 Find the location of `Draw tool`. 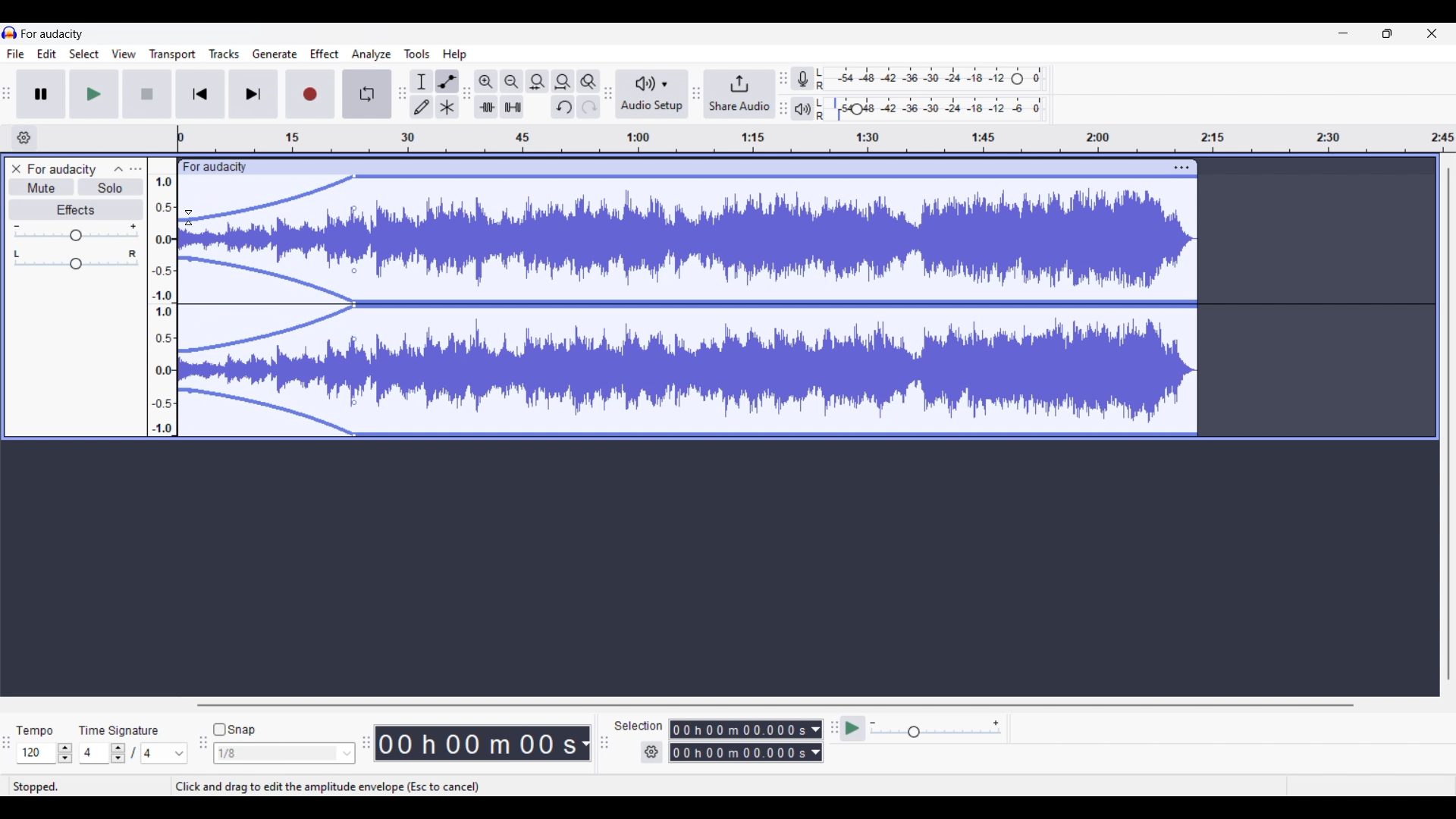

Draw tool is located at coordinates (422, 106).